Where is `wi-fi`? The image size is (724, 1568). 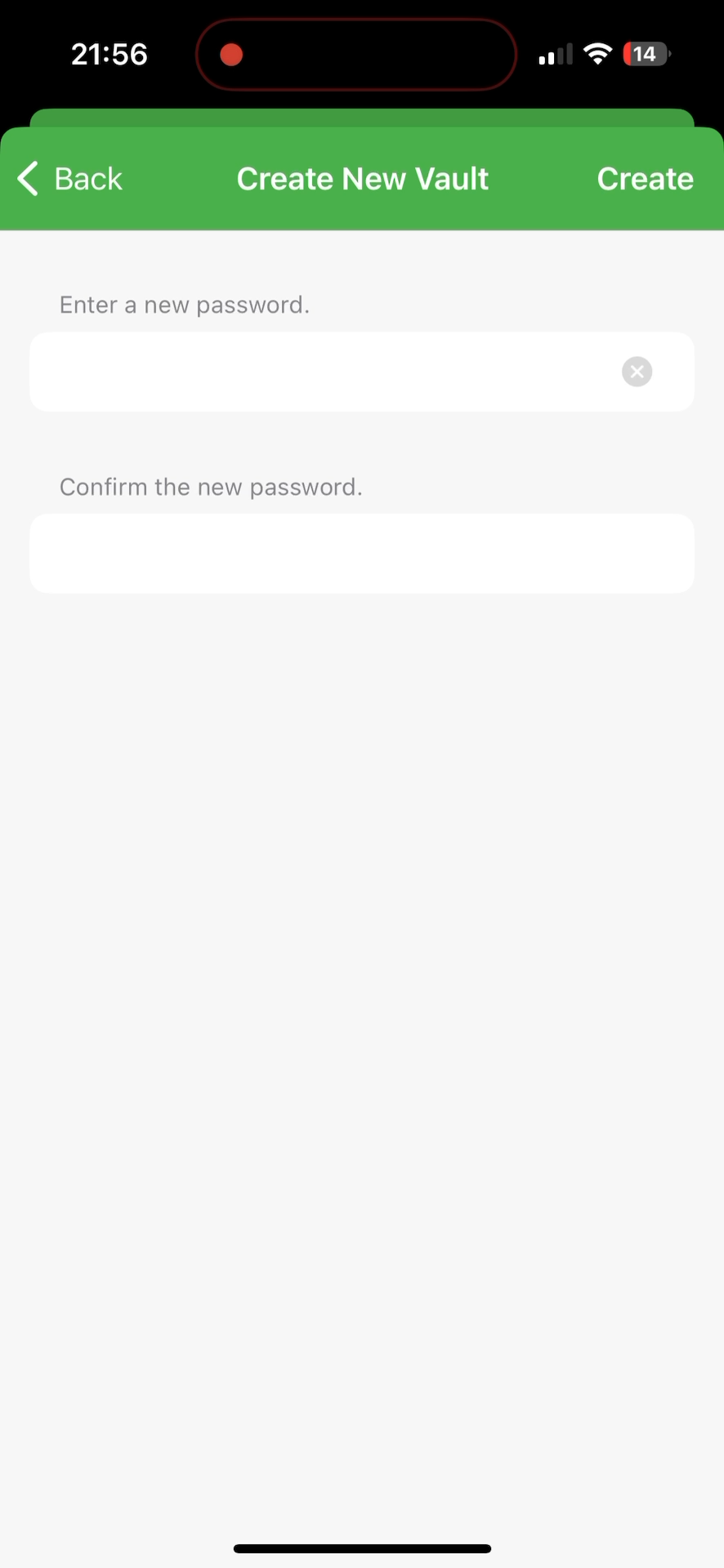 wi-fi is located at coordinates (599, 60).